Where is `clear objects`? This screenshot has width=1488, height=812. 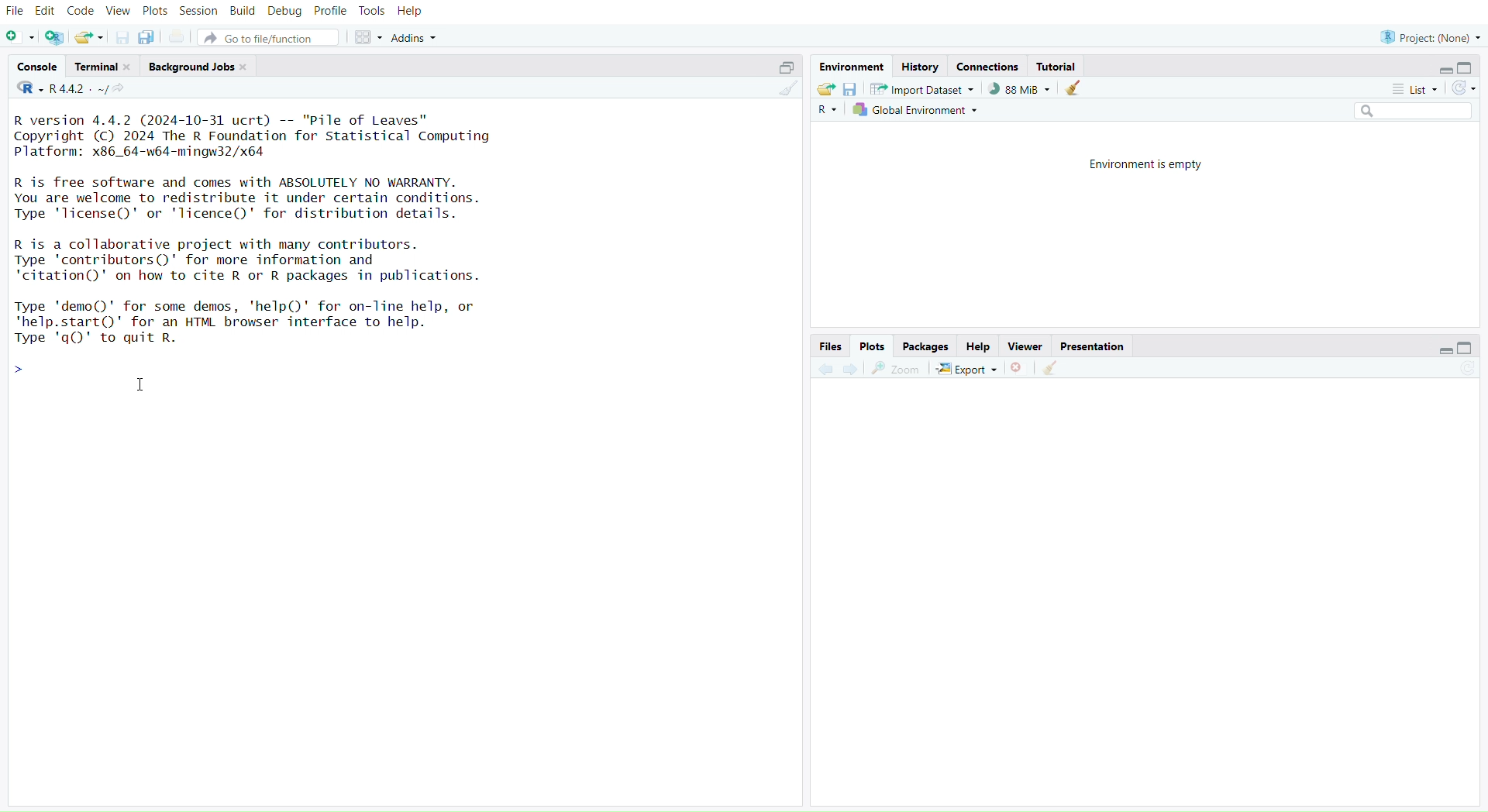 clear objects is located at coordinates (1075, 90).